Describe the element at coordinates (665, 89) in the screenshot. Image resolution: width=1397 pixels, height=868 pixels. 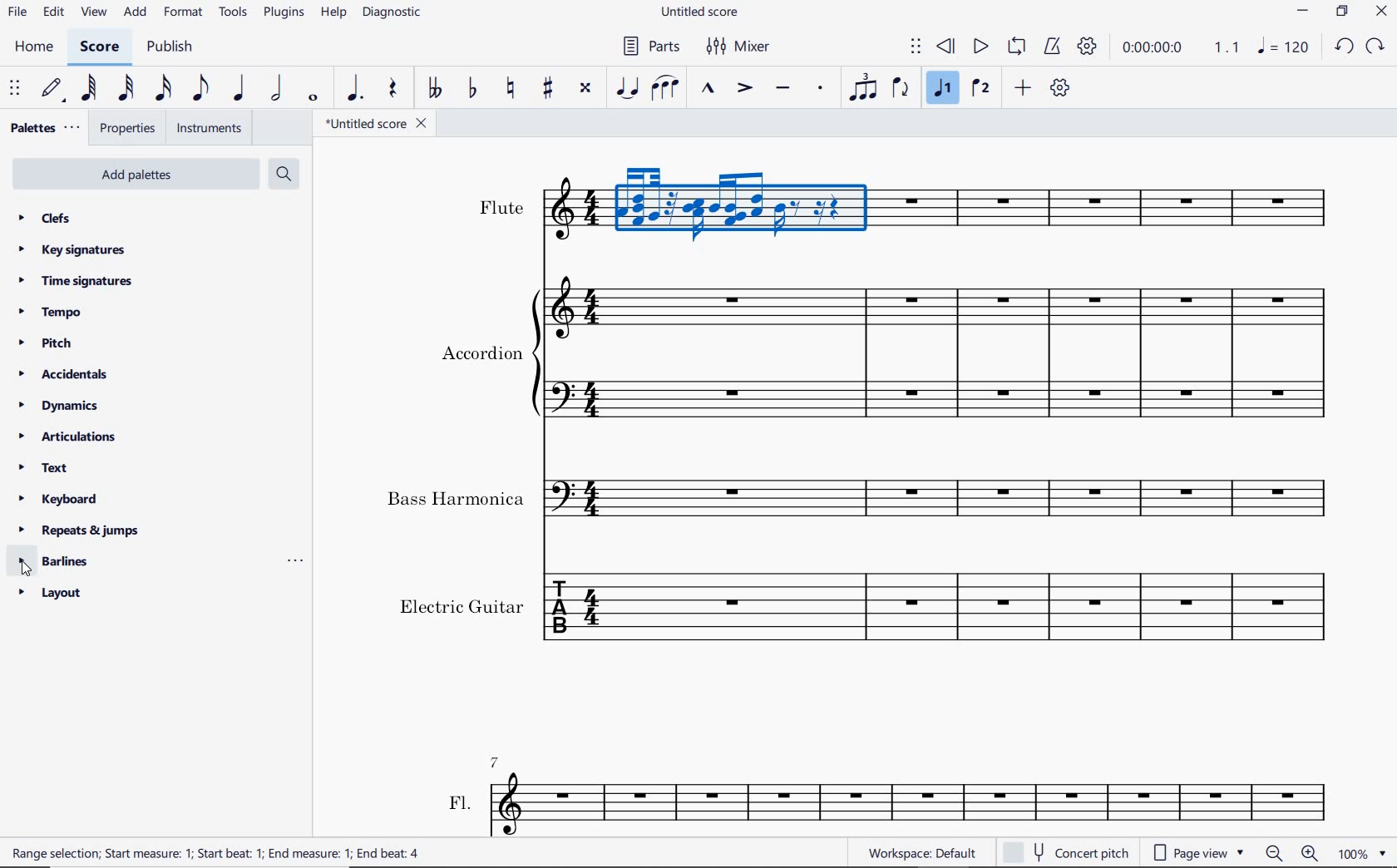
I see `slur` at that location.